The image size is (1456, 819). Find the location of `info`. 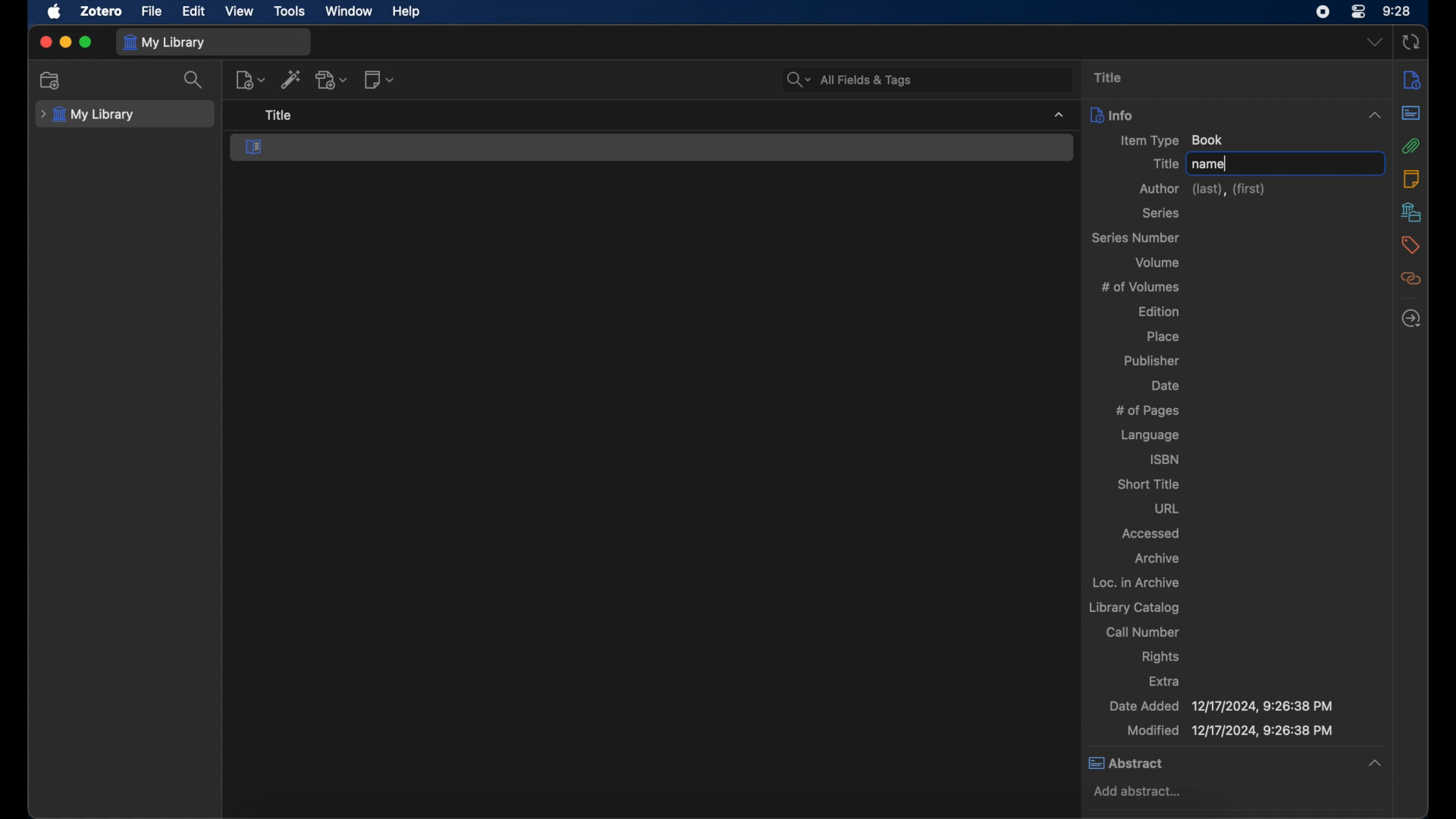

info is located at coordinates (1235, 114).